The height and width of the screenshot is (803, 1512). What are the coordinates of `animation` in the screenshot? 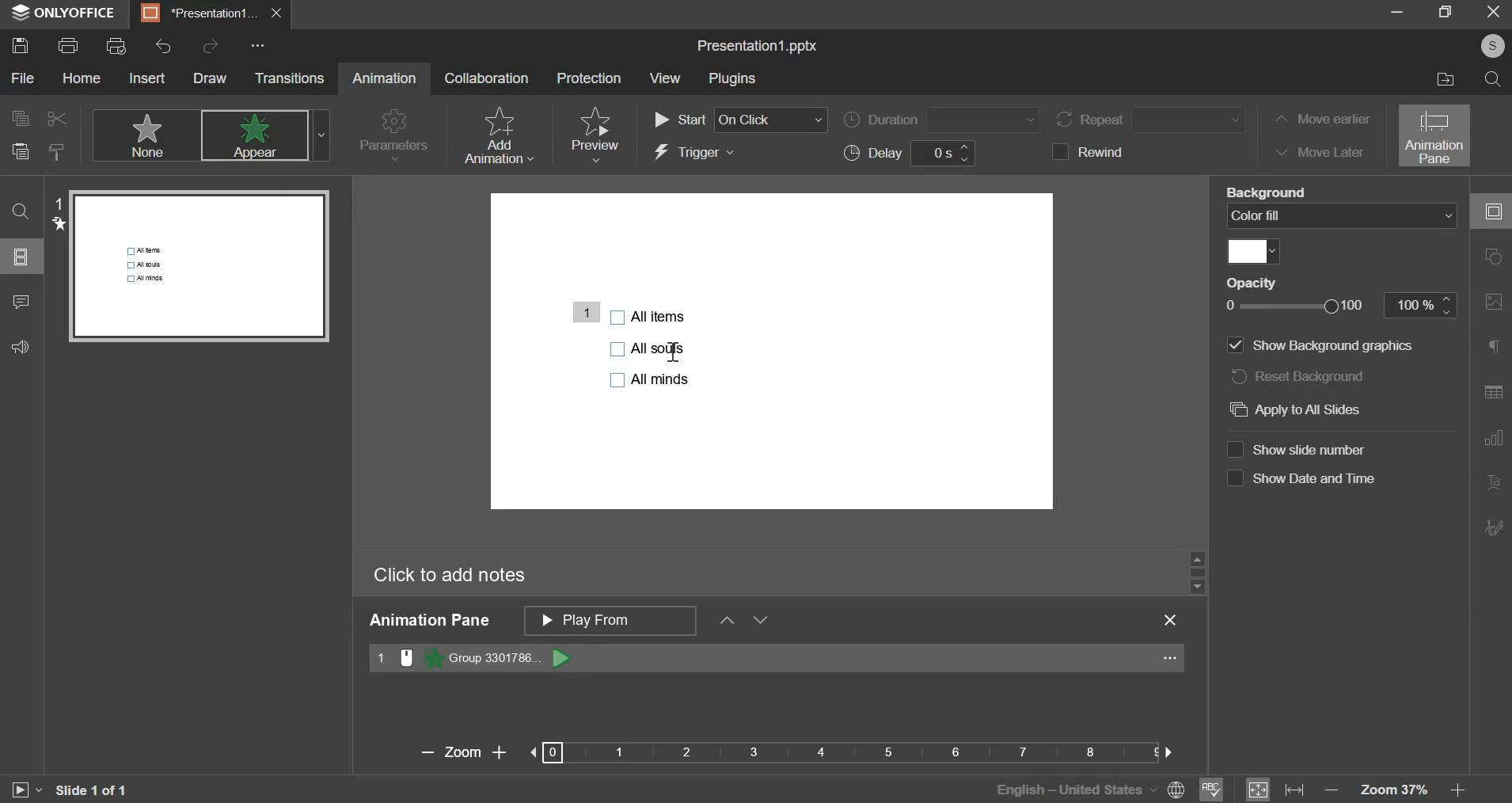 It's located at (384, 78).